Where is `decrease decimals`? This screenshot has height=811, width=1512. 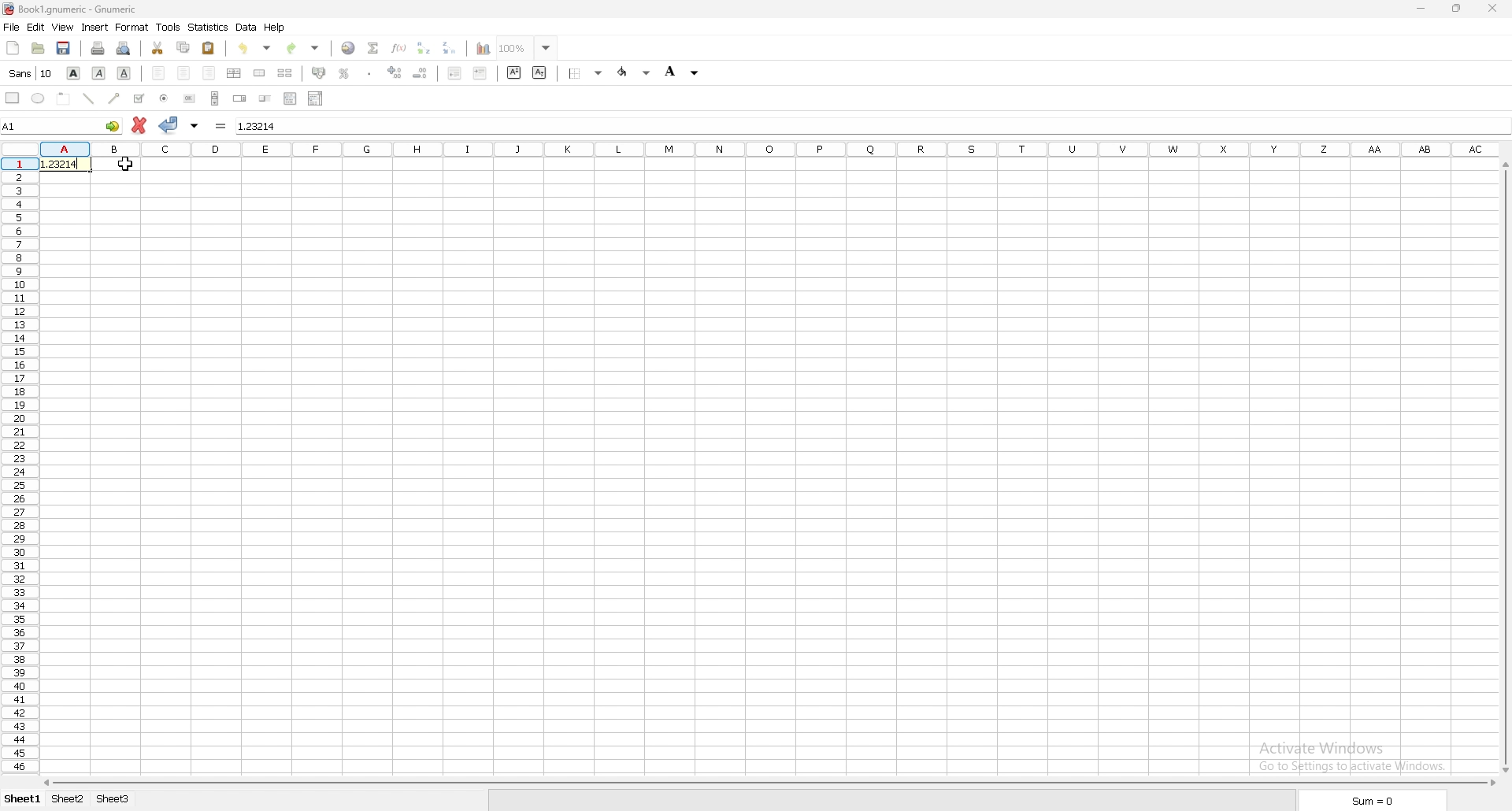
decrease decimals is located at coordinates (421, 72).